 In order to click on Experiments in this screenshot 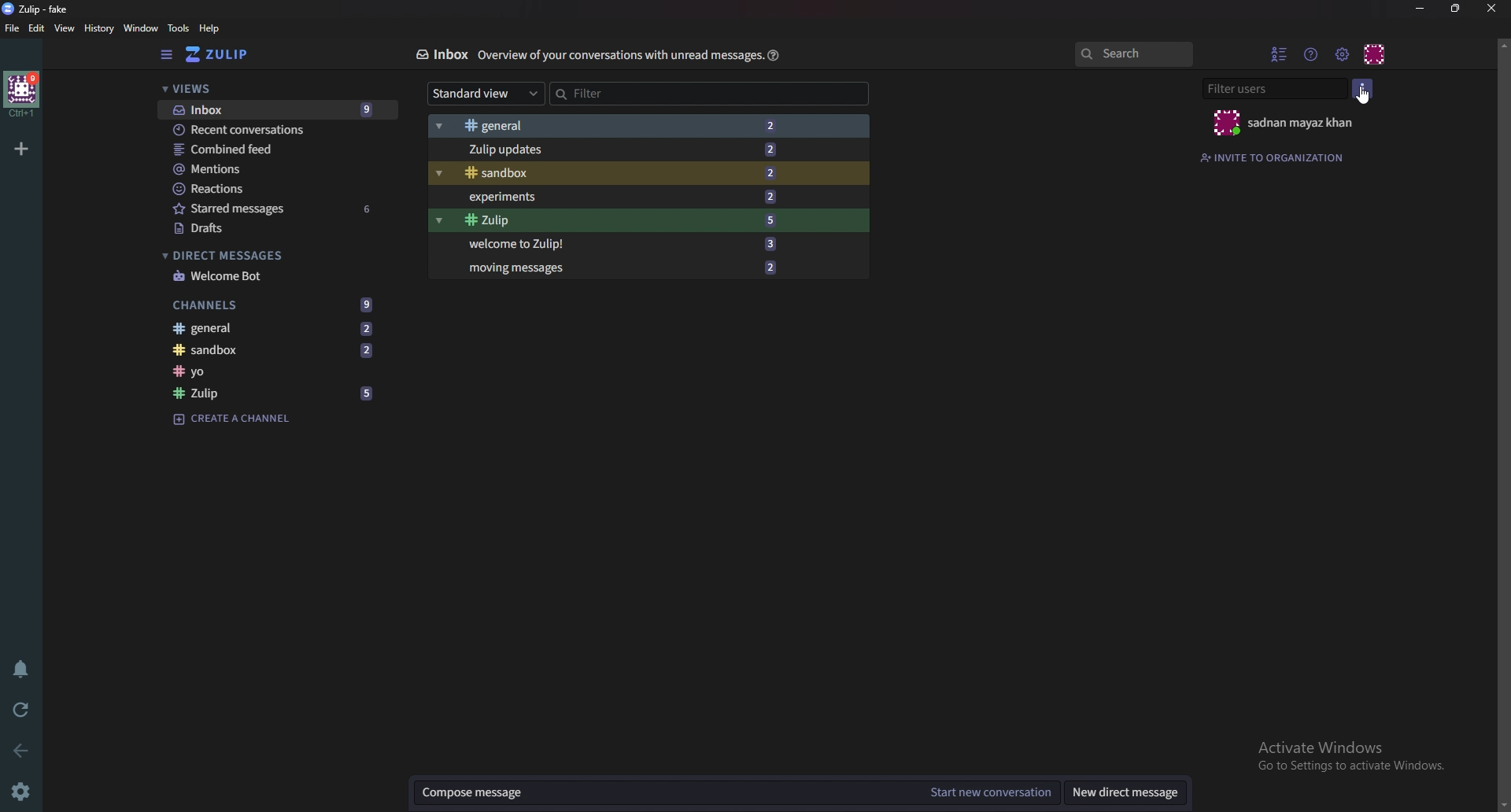, I will do `click(625, 196)`.